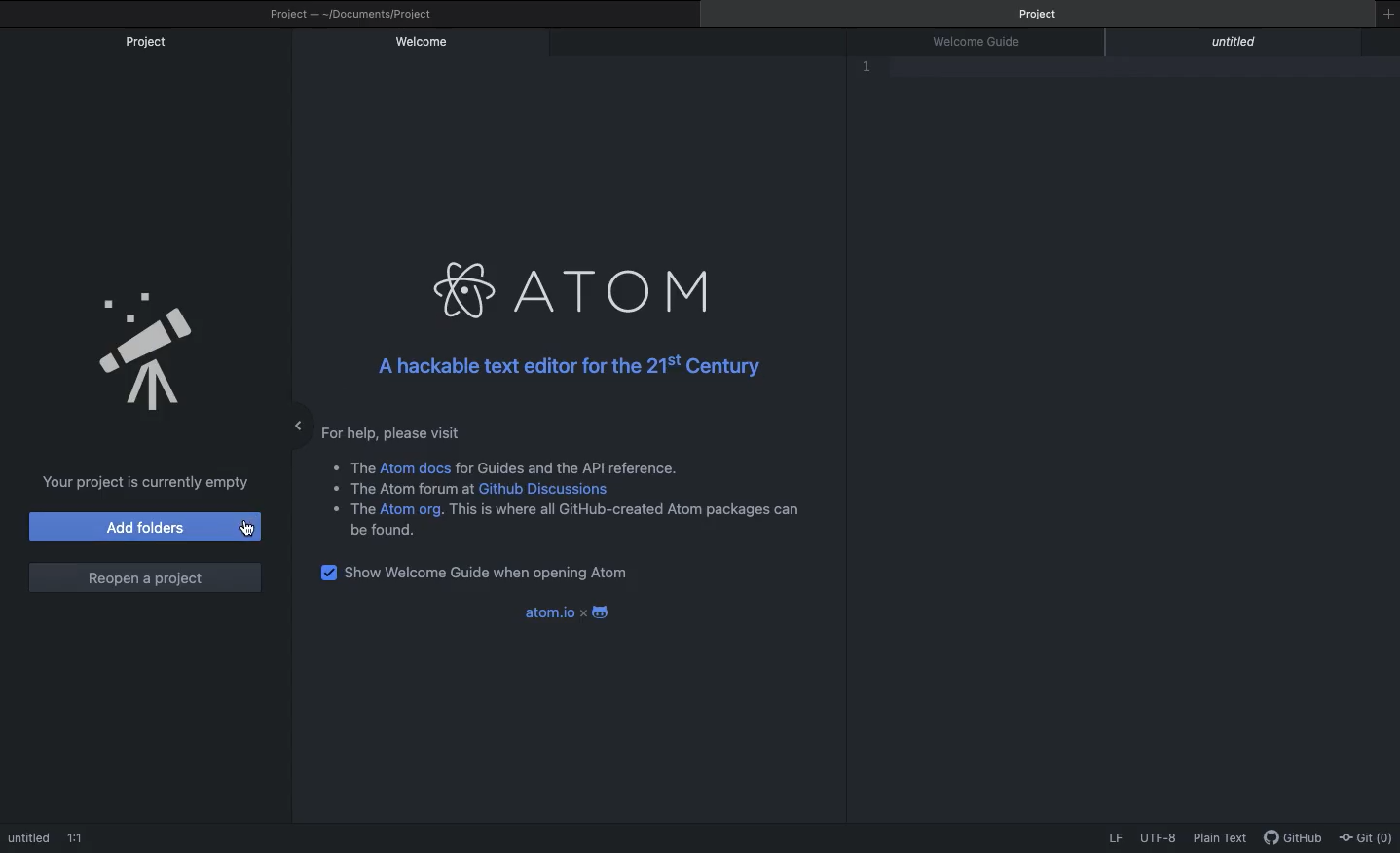 The width and height of the screenshot is (1400, 853). I want to click on Atom, so click(579, 292).